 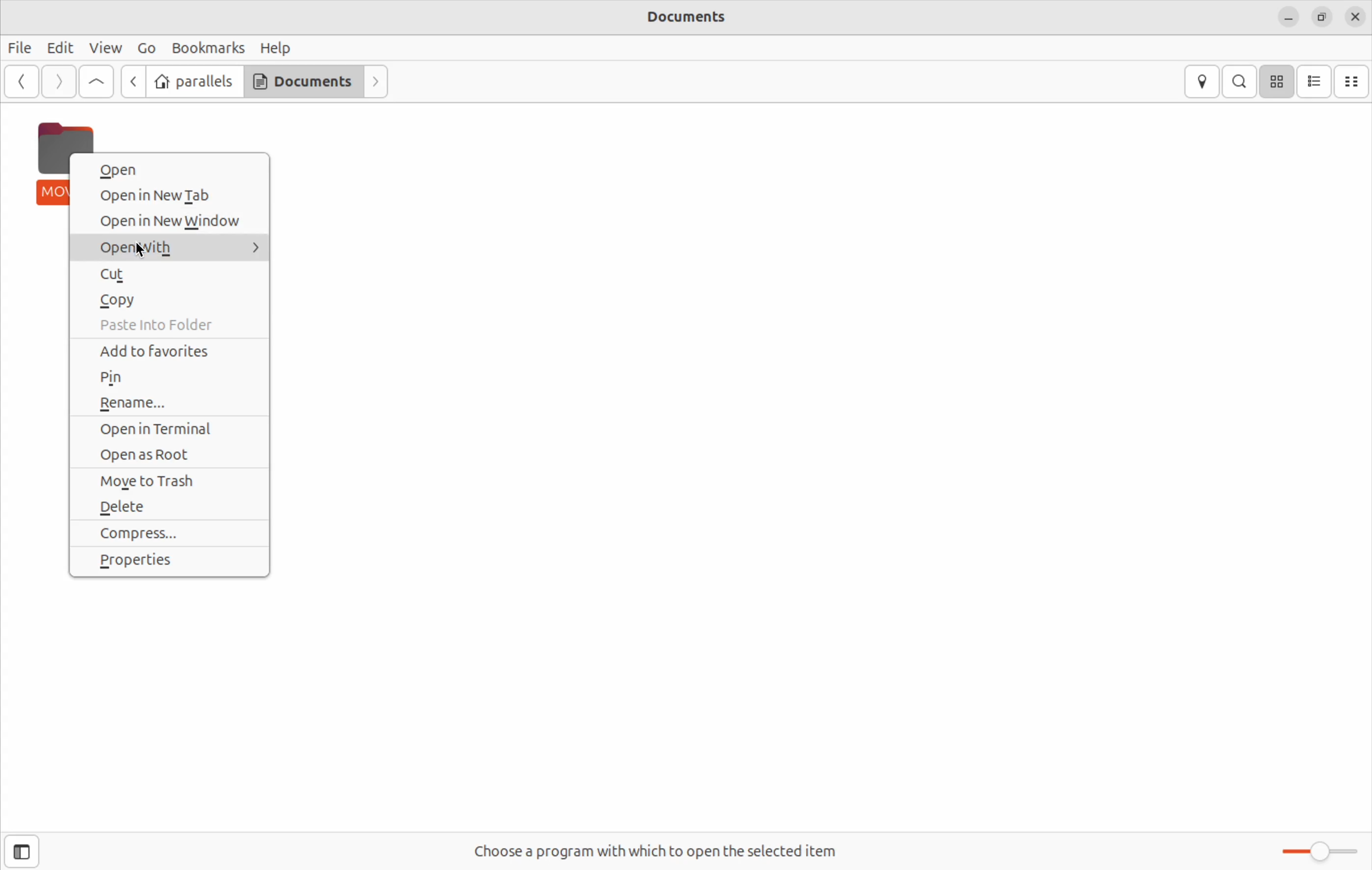 I want to click on search, so click(x=1239, y=81).